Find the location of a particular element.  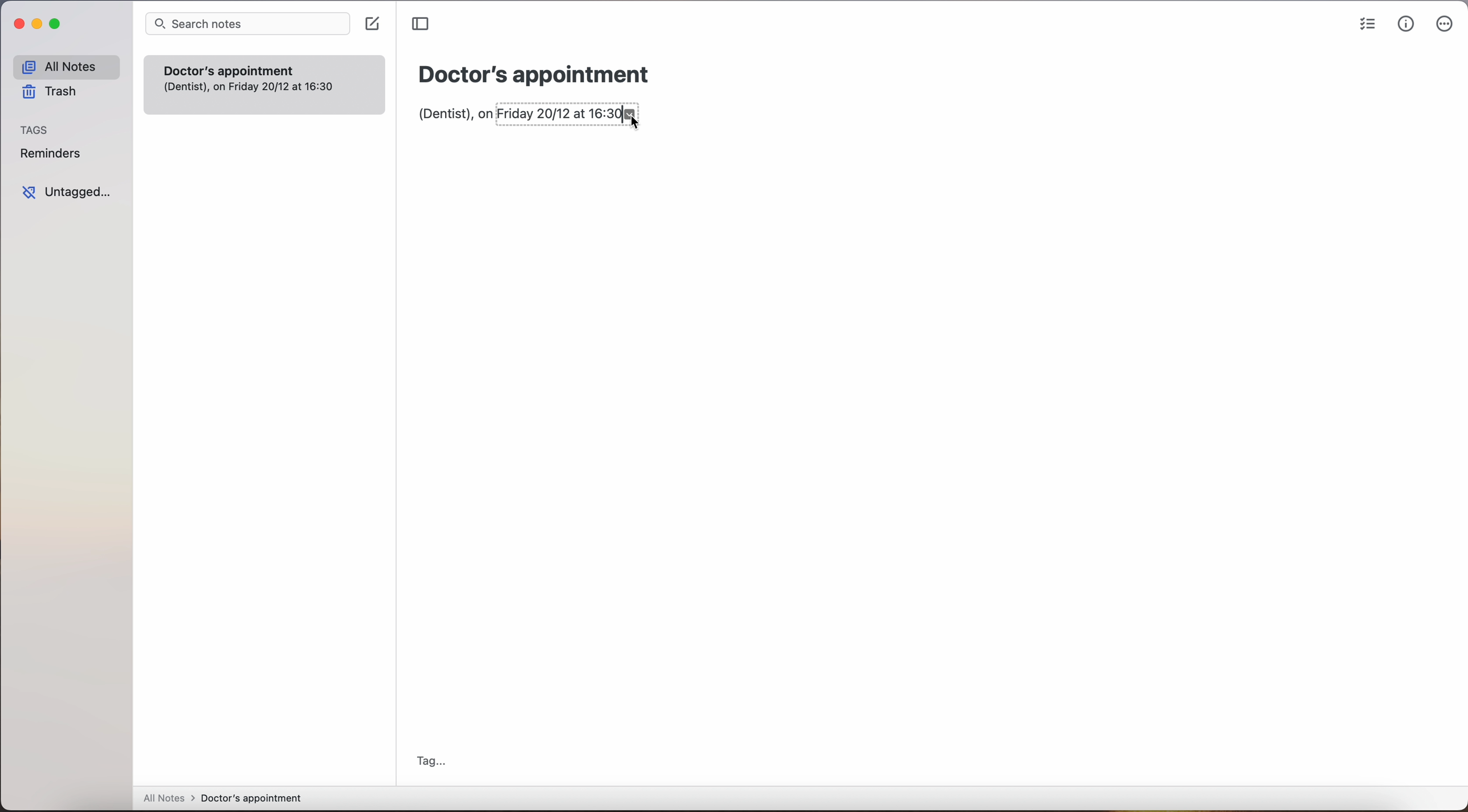

check list is located at coordinates (1364, 26).